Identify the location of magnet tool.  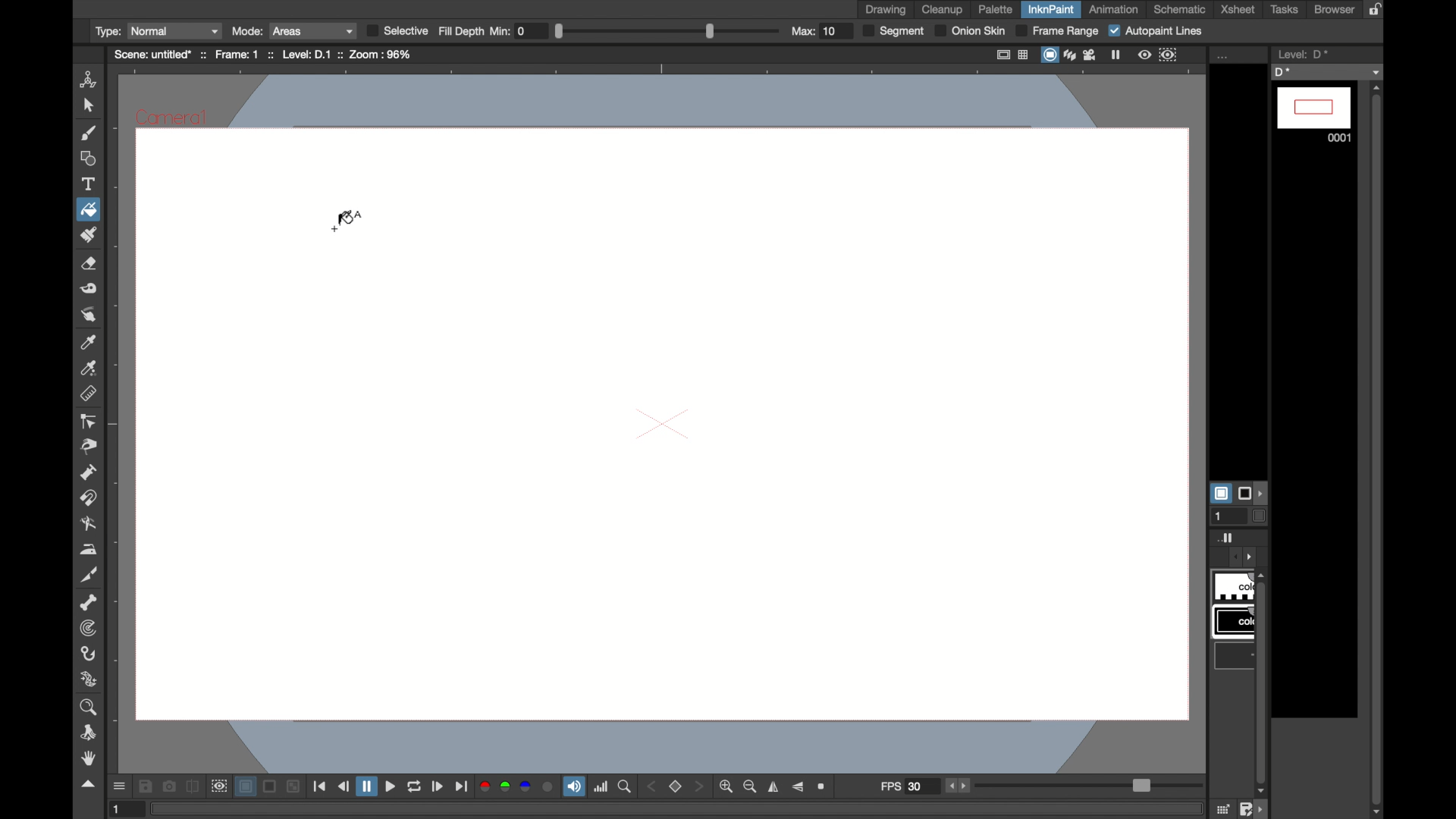
(87, 498).